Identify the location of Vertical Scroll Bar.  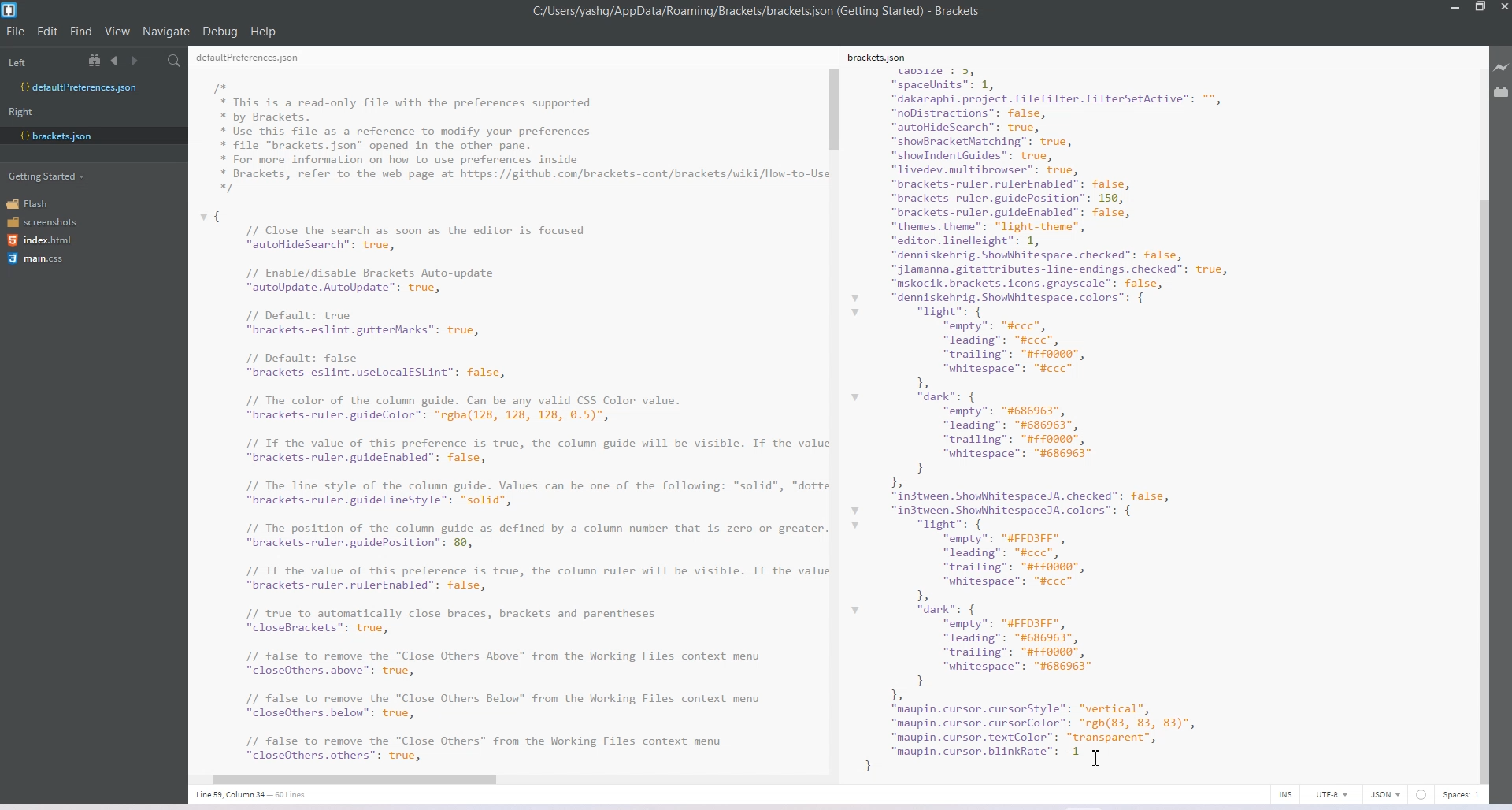
(834, 416).